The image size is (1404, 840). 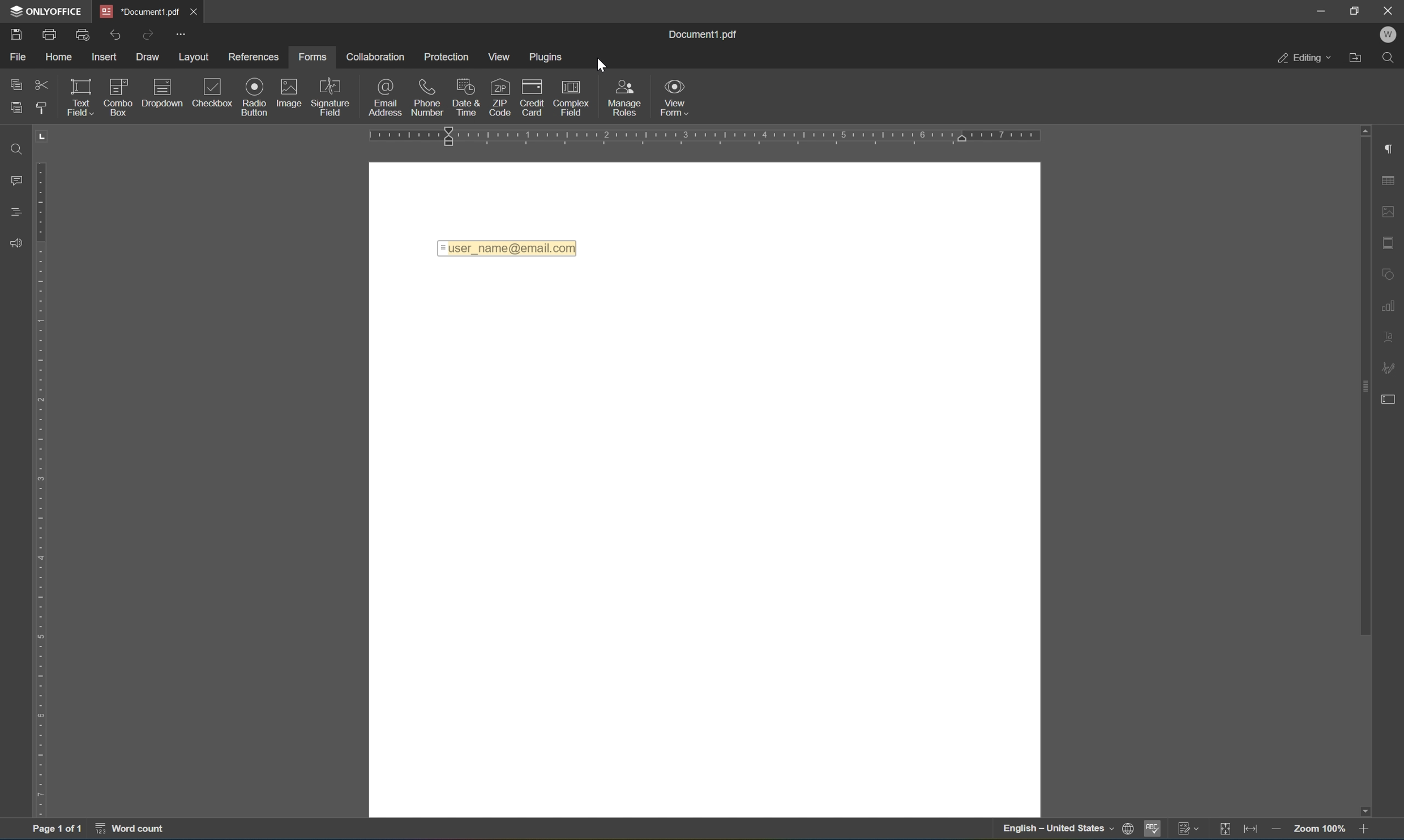 What do you see at coordinates (254, 58) in the screenshot?
I see `preferences` at bounding box center [254, 58].